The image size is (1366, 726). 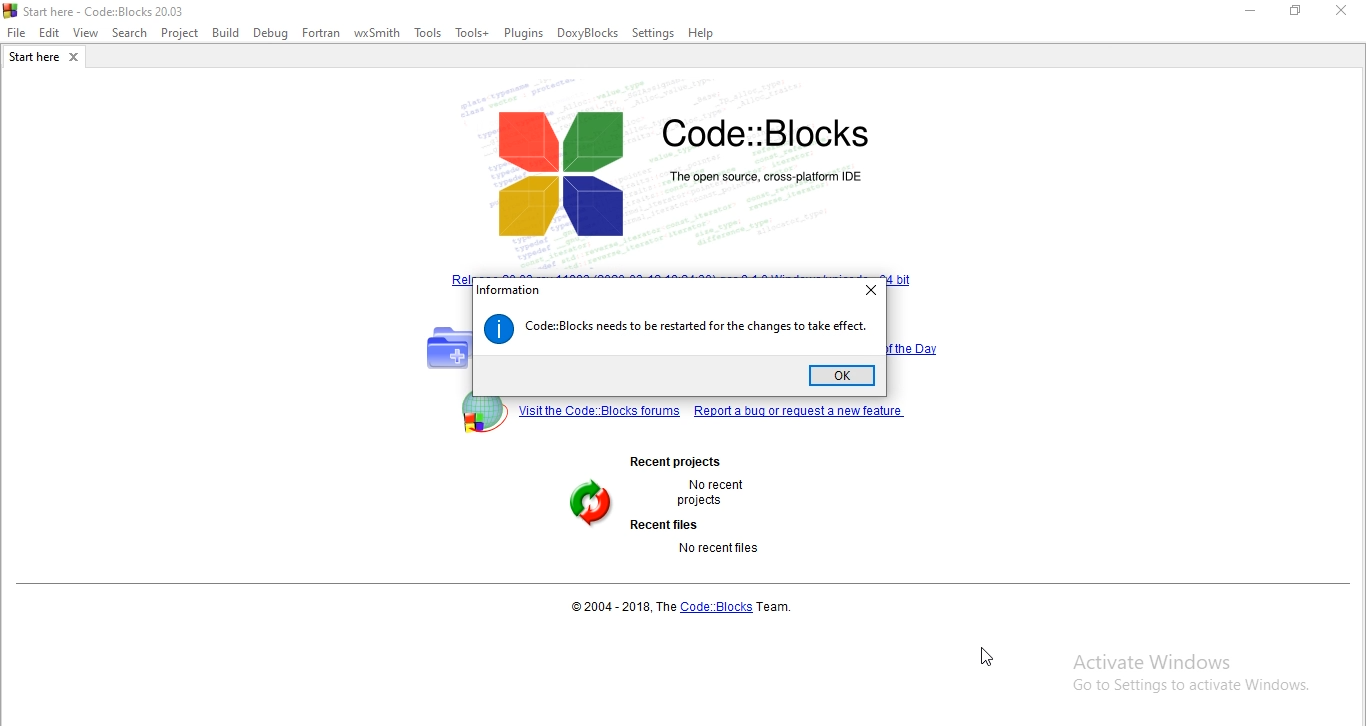 What do you see at coordinates (697, 327) in the screenshot?
I see `Code:Blocks needs to be restarted for the changes to take effect.` at bounding box center [697, 327].